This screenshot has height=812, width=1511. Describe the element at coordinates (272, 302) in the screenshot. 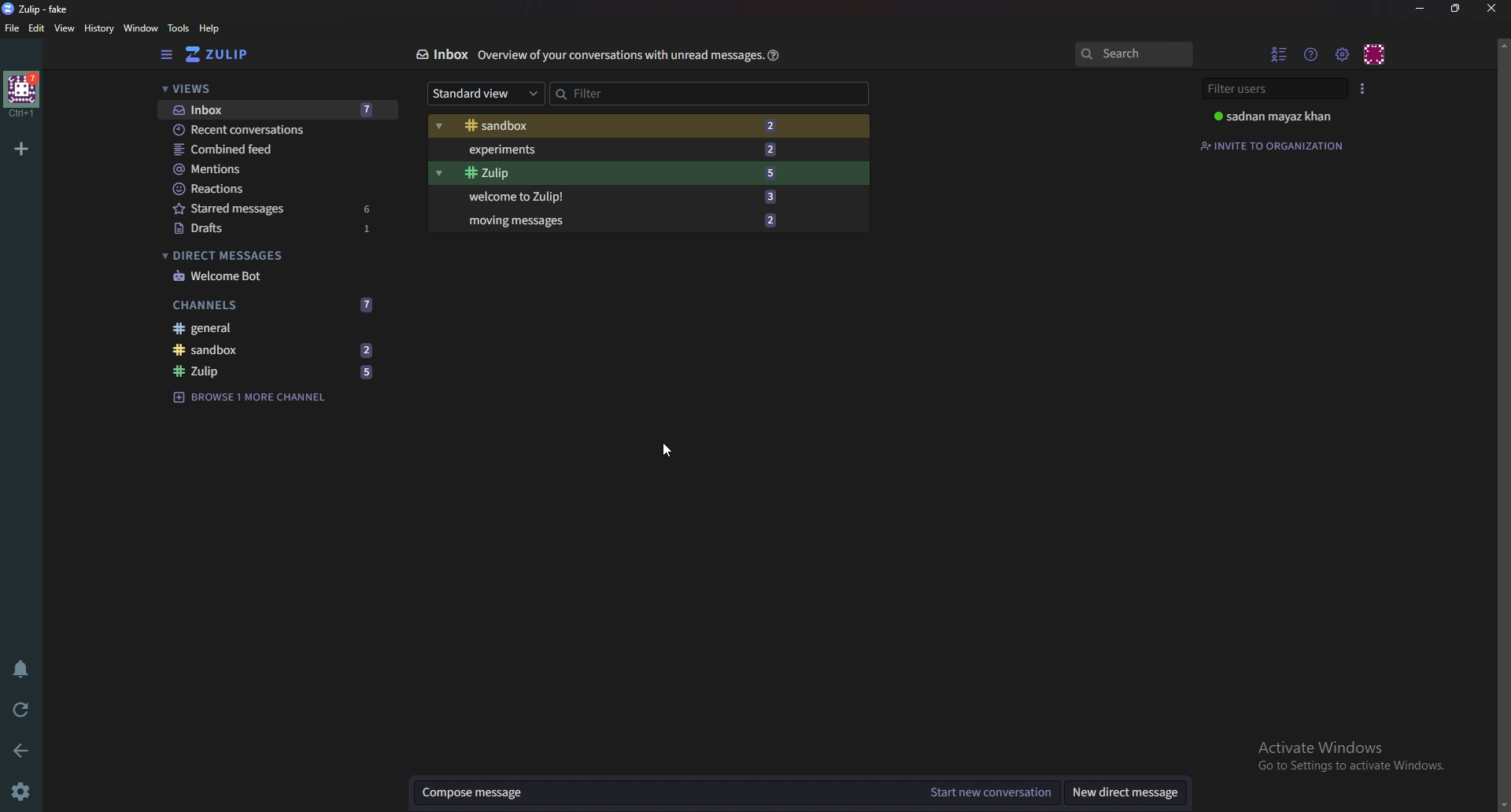

I see `channels` at that location.